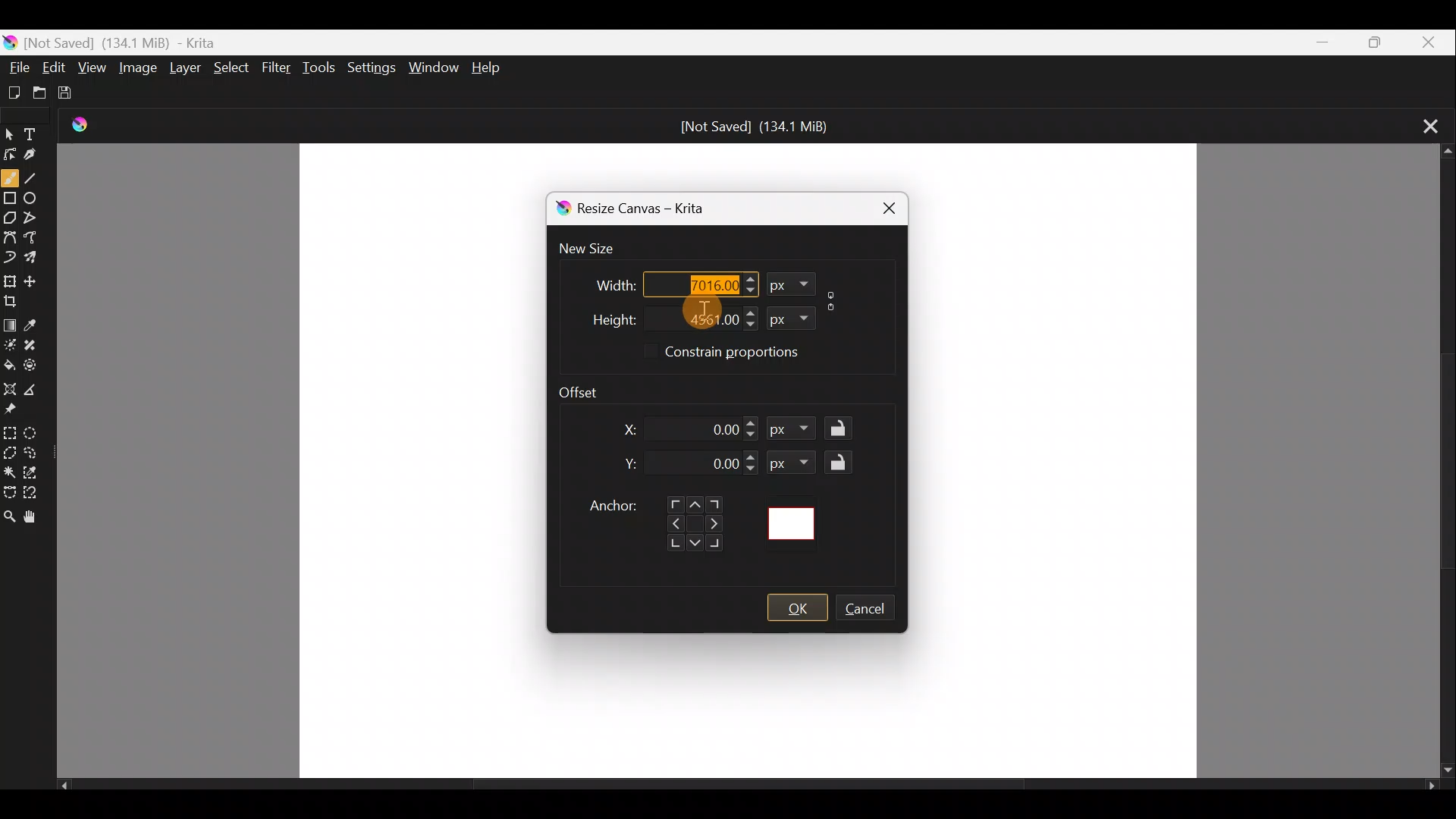 The image size is (1456, 819). Describe the element at coordinates (369, 67) in the screenshot. I see `Settings` at that location.